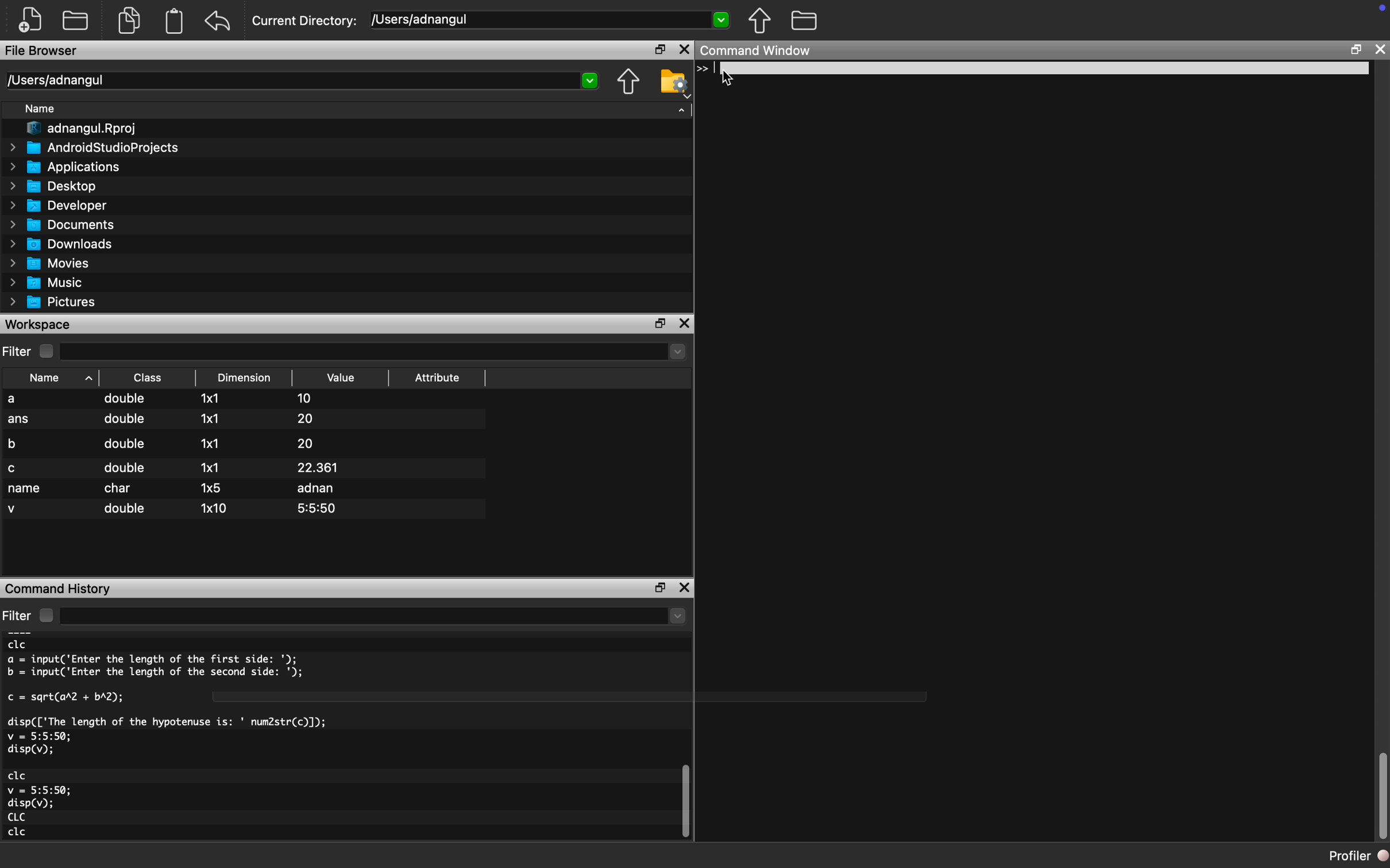 The image size is (1390, 868). I want to click on one directory up, so click(763, 23).